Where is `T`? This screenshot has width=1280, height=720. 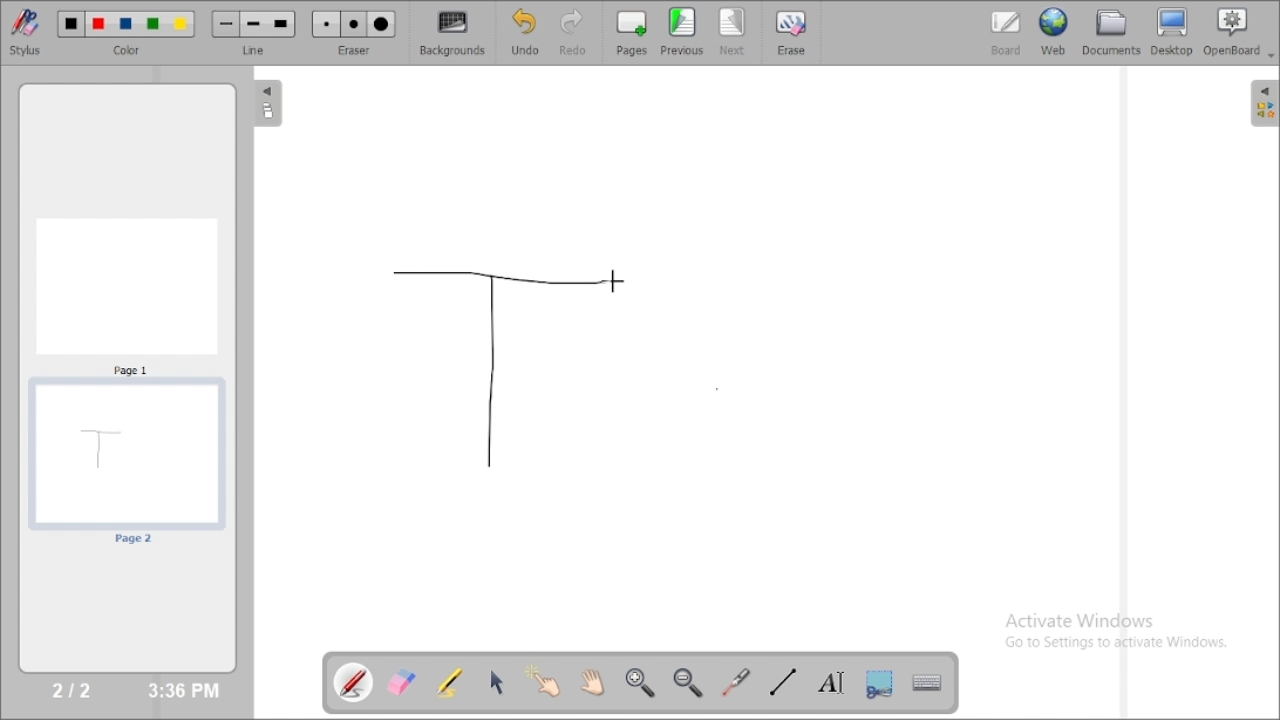
T is located at coordinates (496, 369).